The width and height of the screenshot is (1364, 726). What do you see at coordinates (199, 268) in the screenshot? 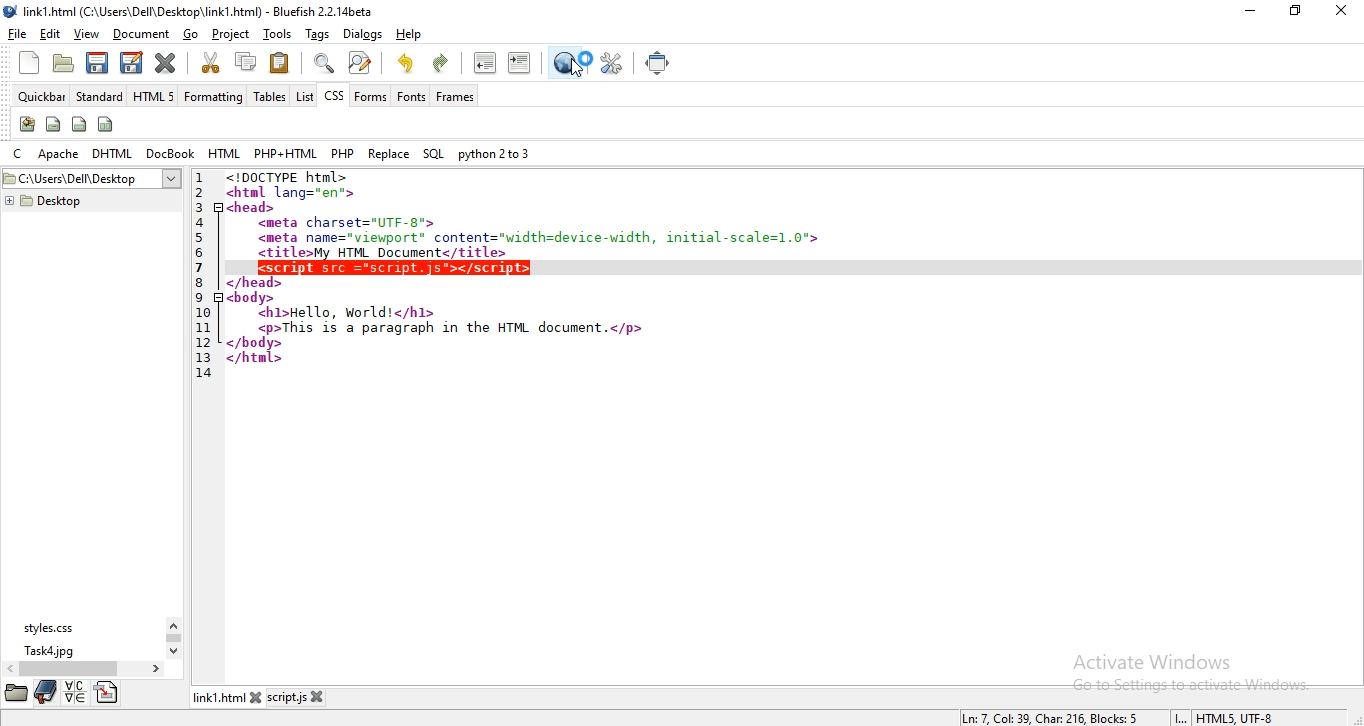
I see `7` at bounding box center [199, 268].